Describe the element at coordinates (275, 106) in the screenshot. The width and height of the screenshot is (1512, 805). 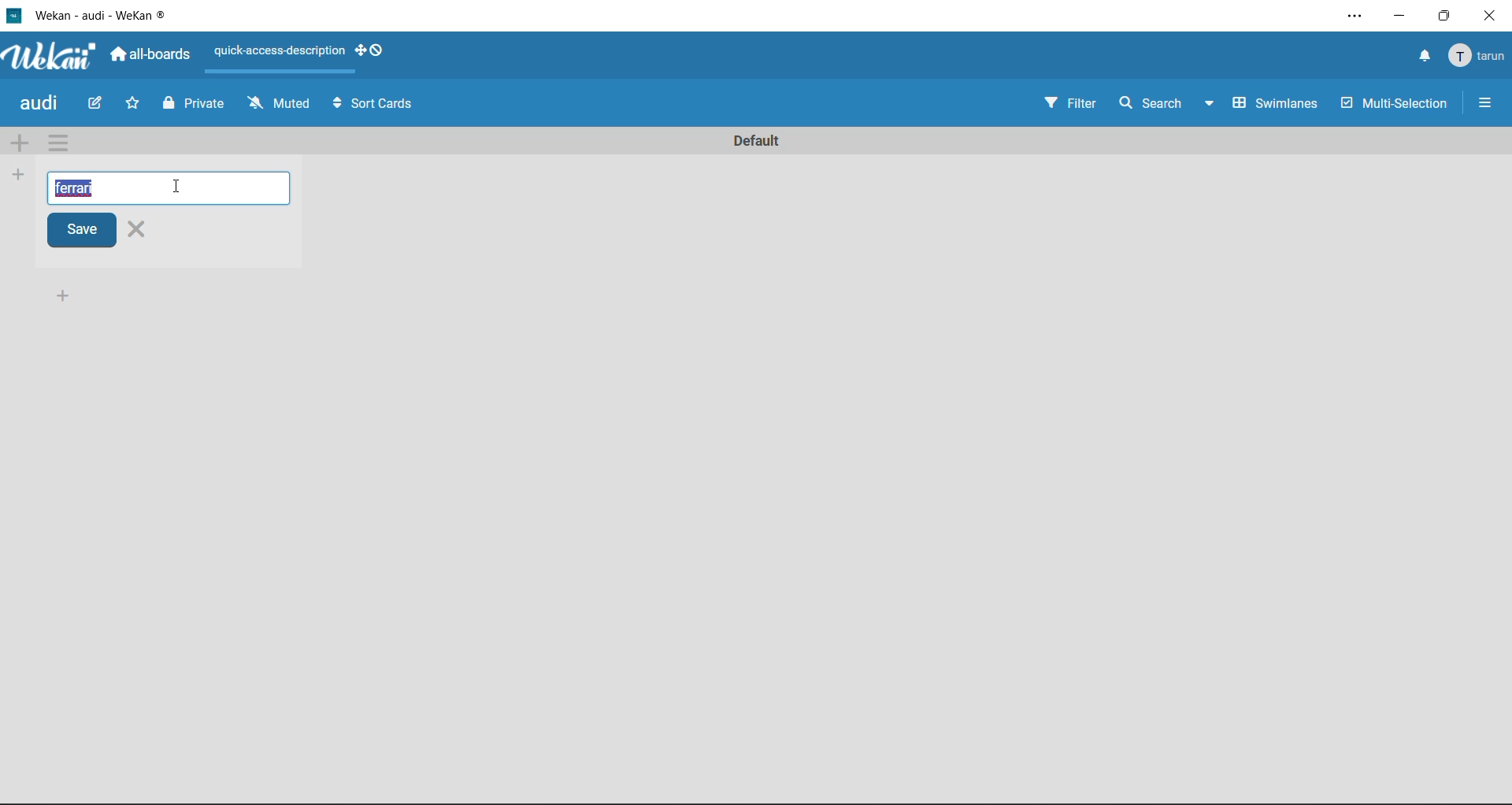
I see `Muted` at that location.